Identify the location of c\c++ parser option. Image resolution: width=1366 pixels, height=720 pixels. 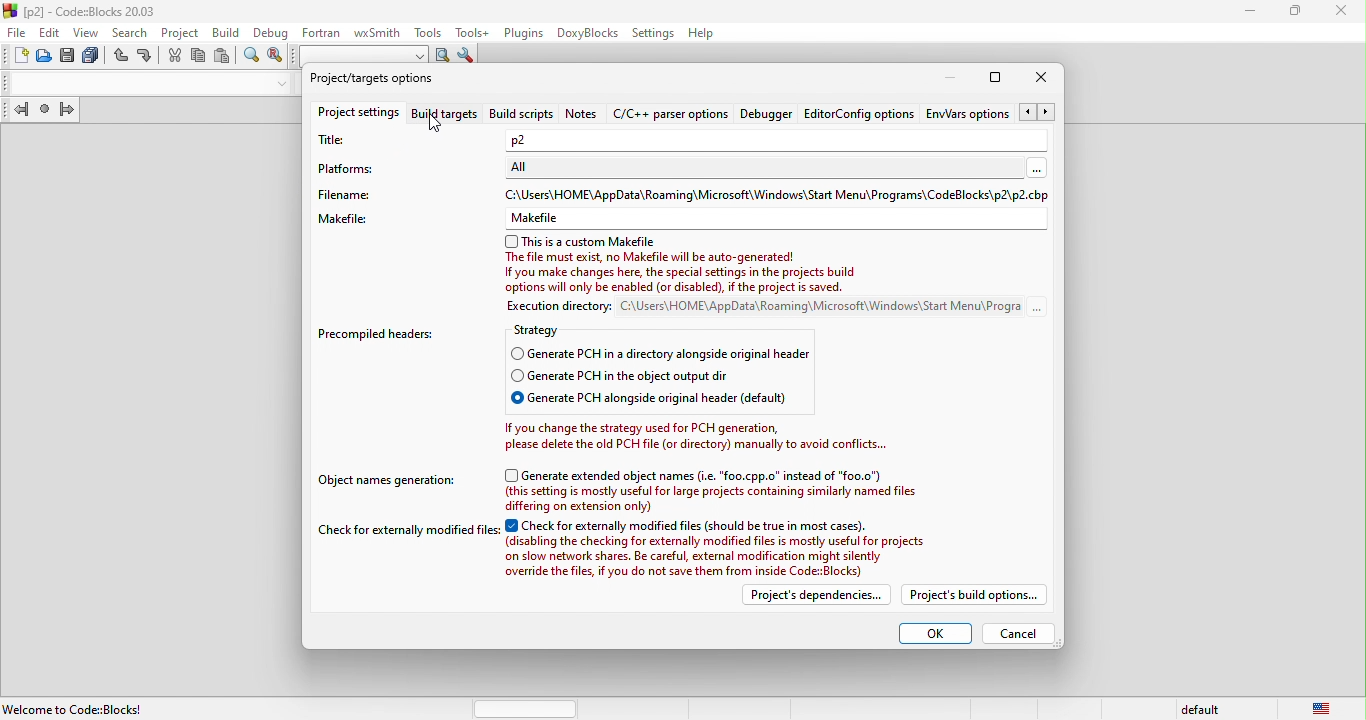
(669, 116).